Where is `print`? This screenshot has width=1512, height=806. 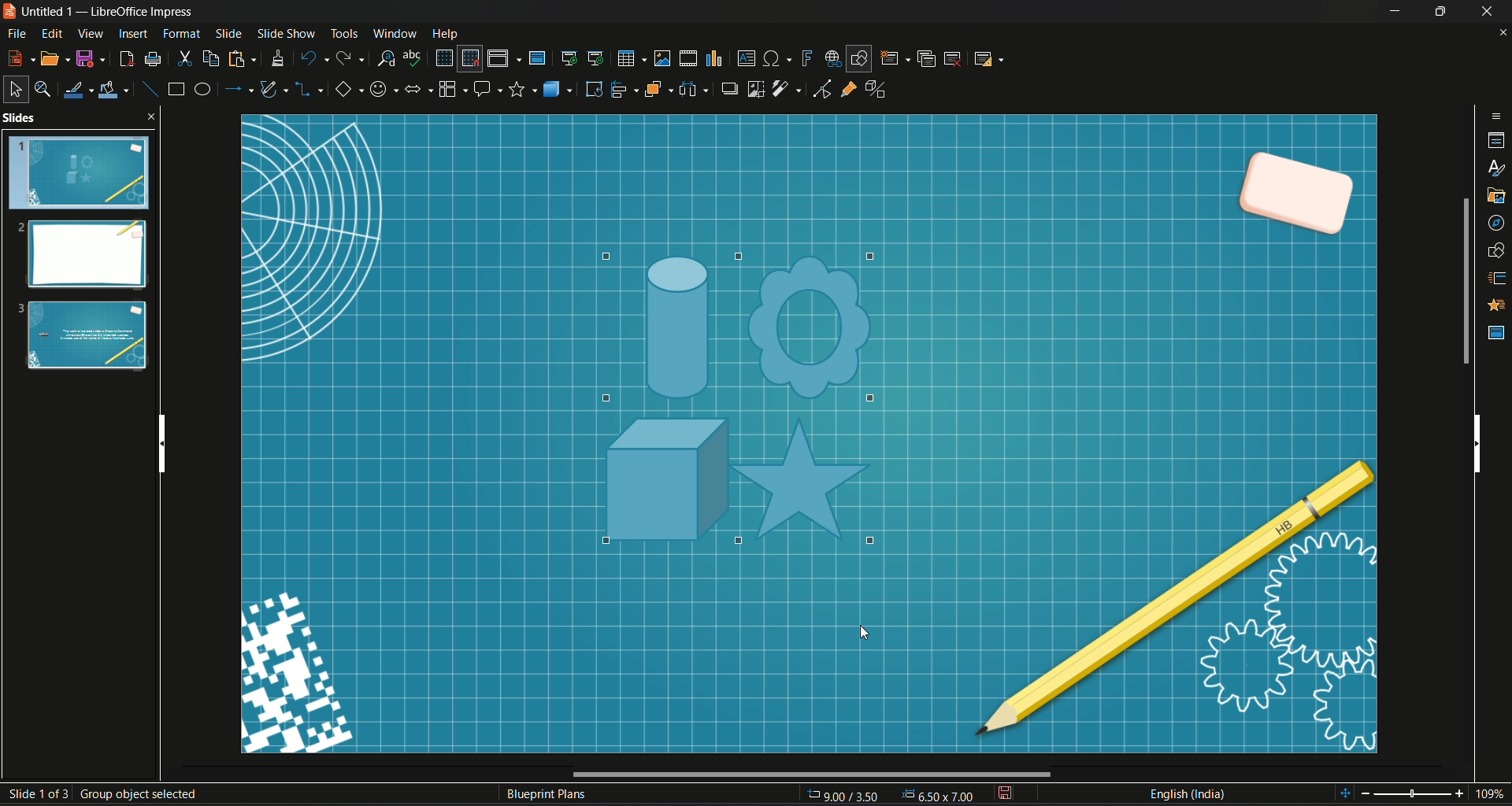 print is located at coordinates (153, 59).